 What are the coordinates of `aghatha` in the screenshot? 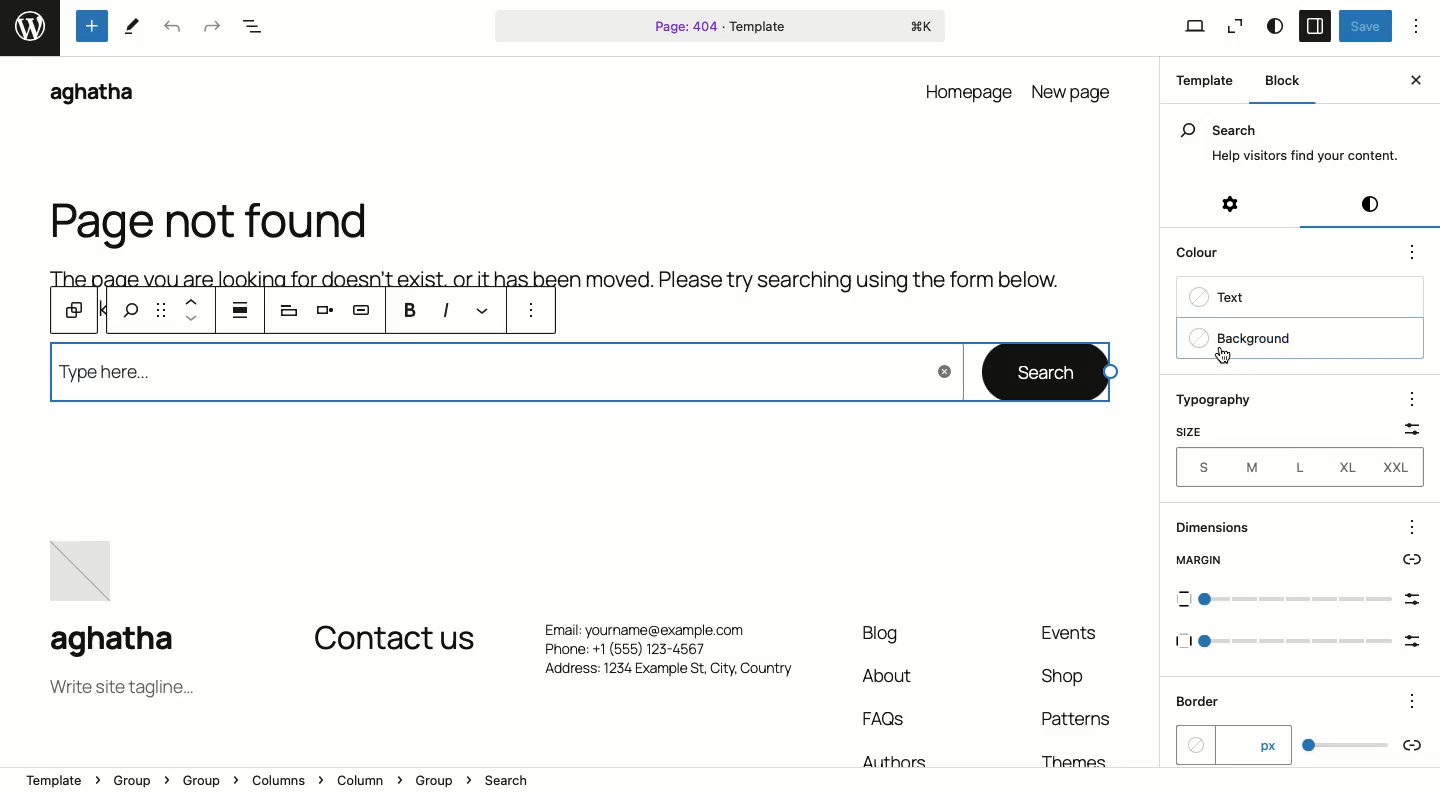 It's located at (129, 643).